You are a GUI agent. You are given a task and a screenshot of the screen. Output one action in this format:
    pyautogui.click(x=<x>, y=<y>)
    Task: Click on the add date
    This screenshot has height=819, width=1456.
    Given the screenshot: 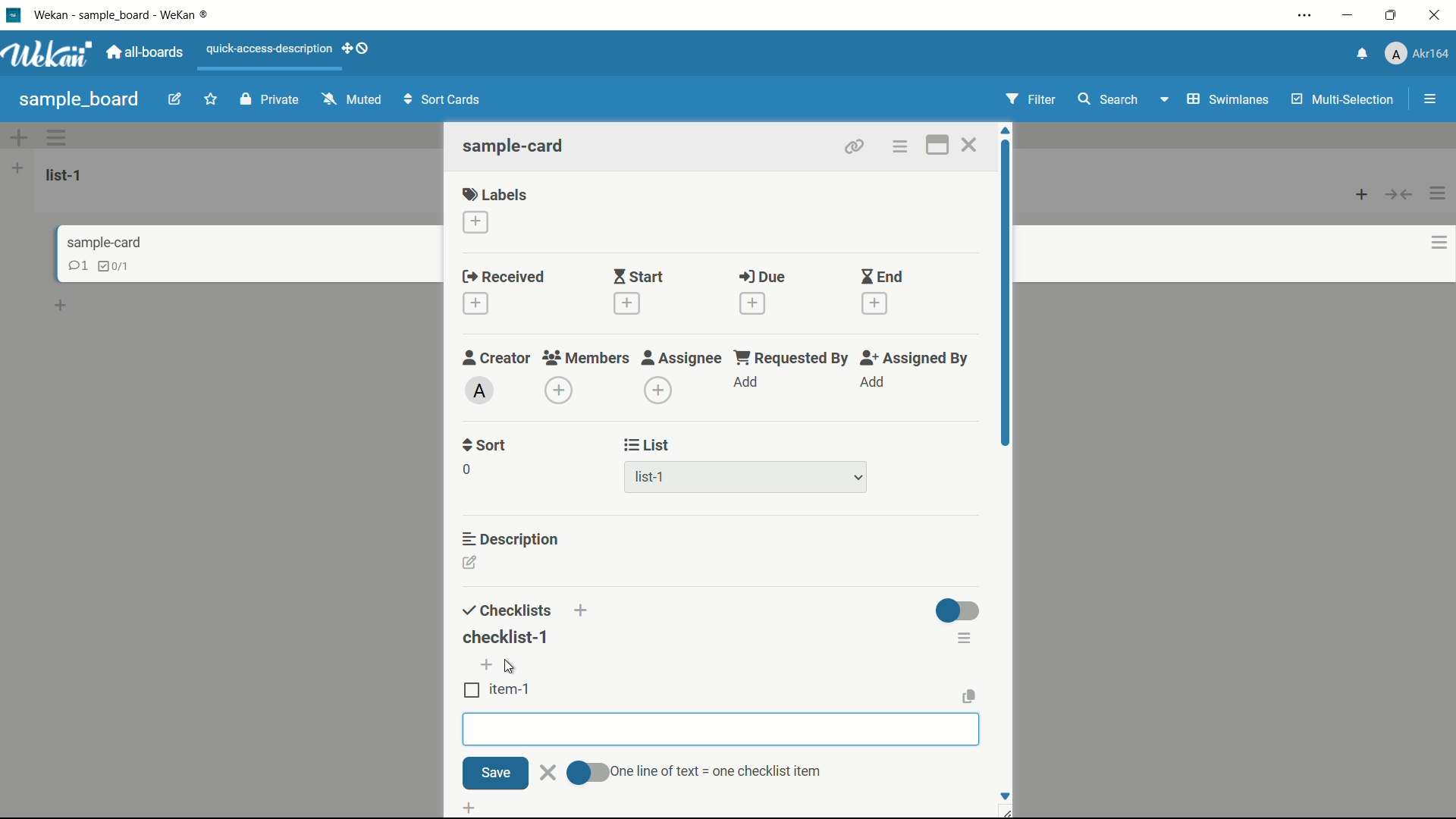 What is the action you would take?
    pyautogui.click(x=476, y=304)
    